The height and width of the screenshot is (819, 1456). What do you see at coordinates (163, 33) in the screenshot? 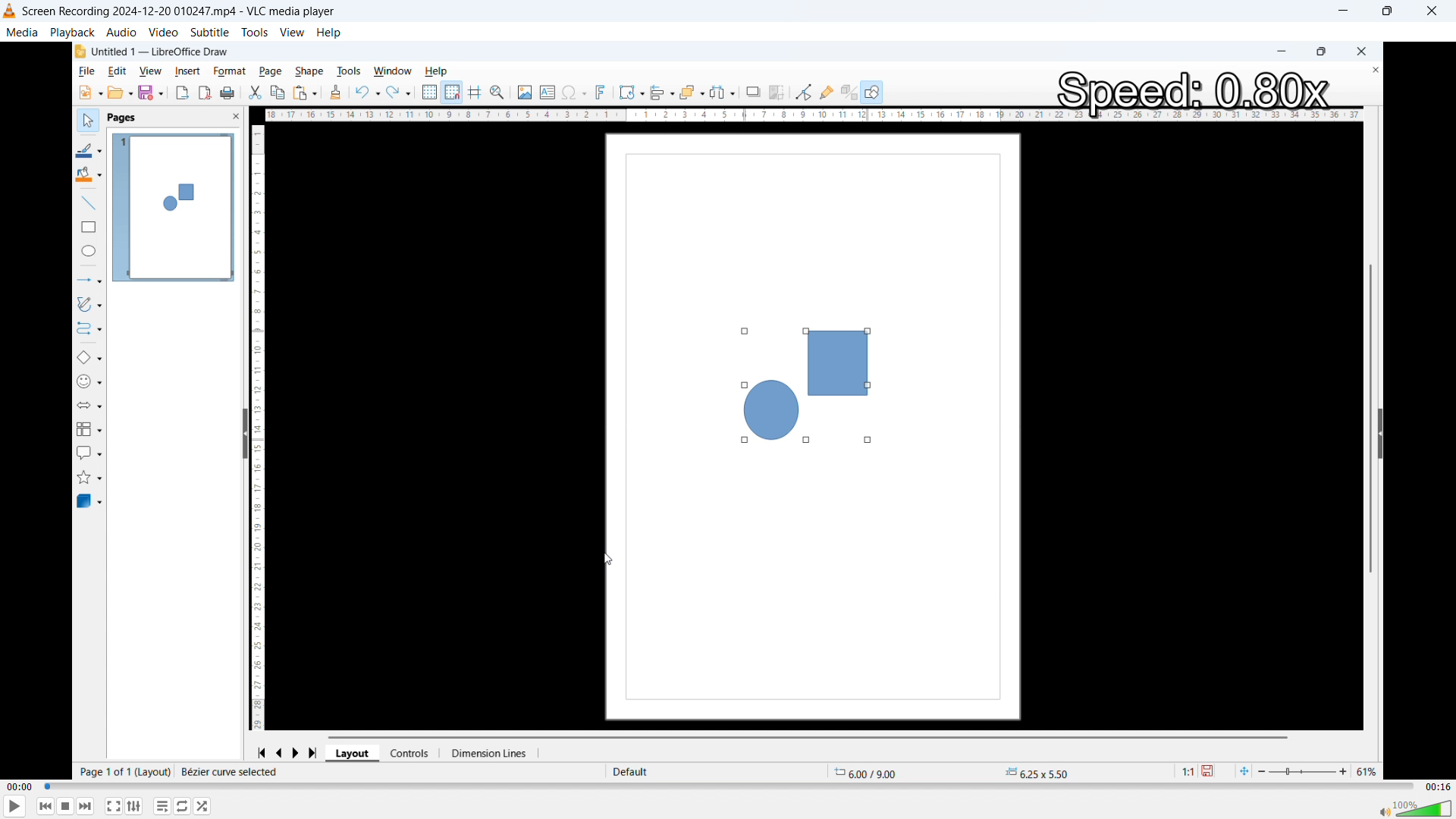
I see `Video ` at bounding box center [163, 33].